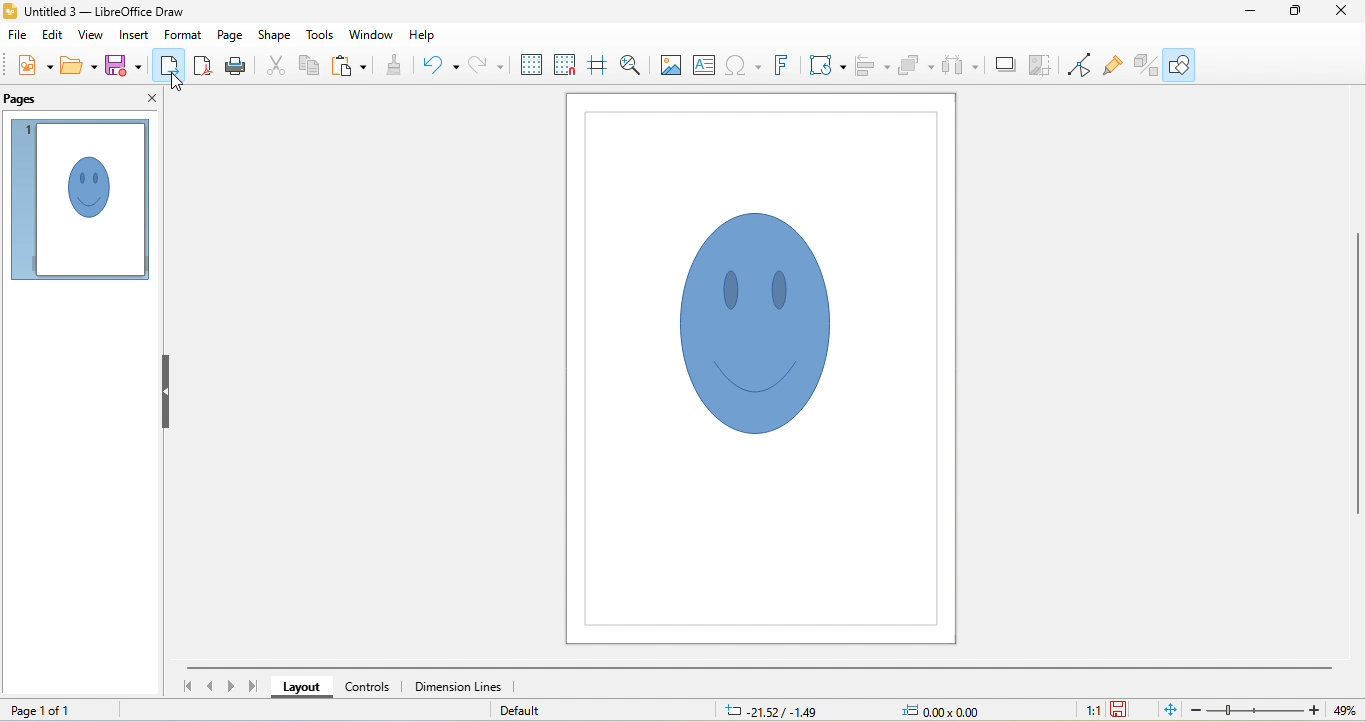 This screenshot has width=1366, height=722. Describe the element at coordinates (1092, 709) in the screenshot. I see `1:1` at that location.